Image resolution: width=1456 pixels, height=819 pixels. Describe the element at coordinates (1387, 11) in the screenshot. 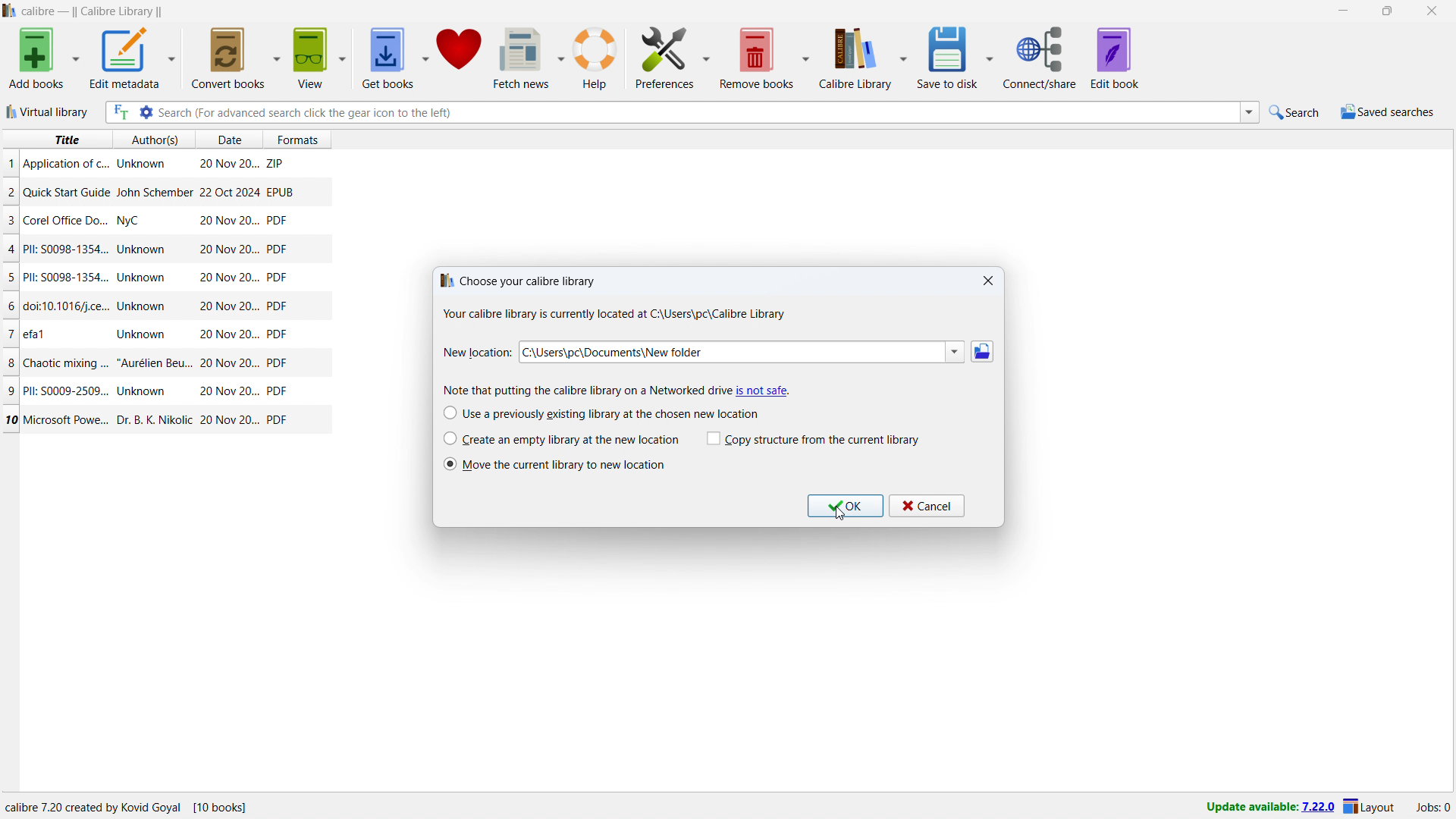

I see `maximize` at that location.